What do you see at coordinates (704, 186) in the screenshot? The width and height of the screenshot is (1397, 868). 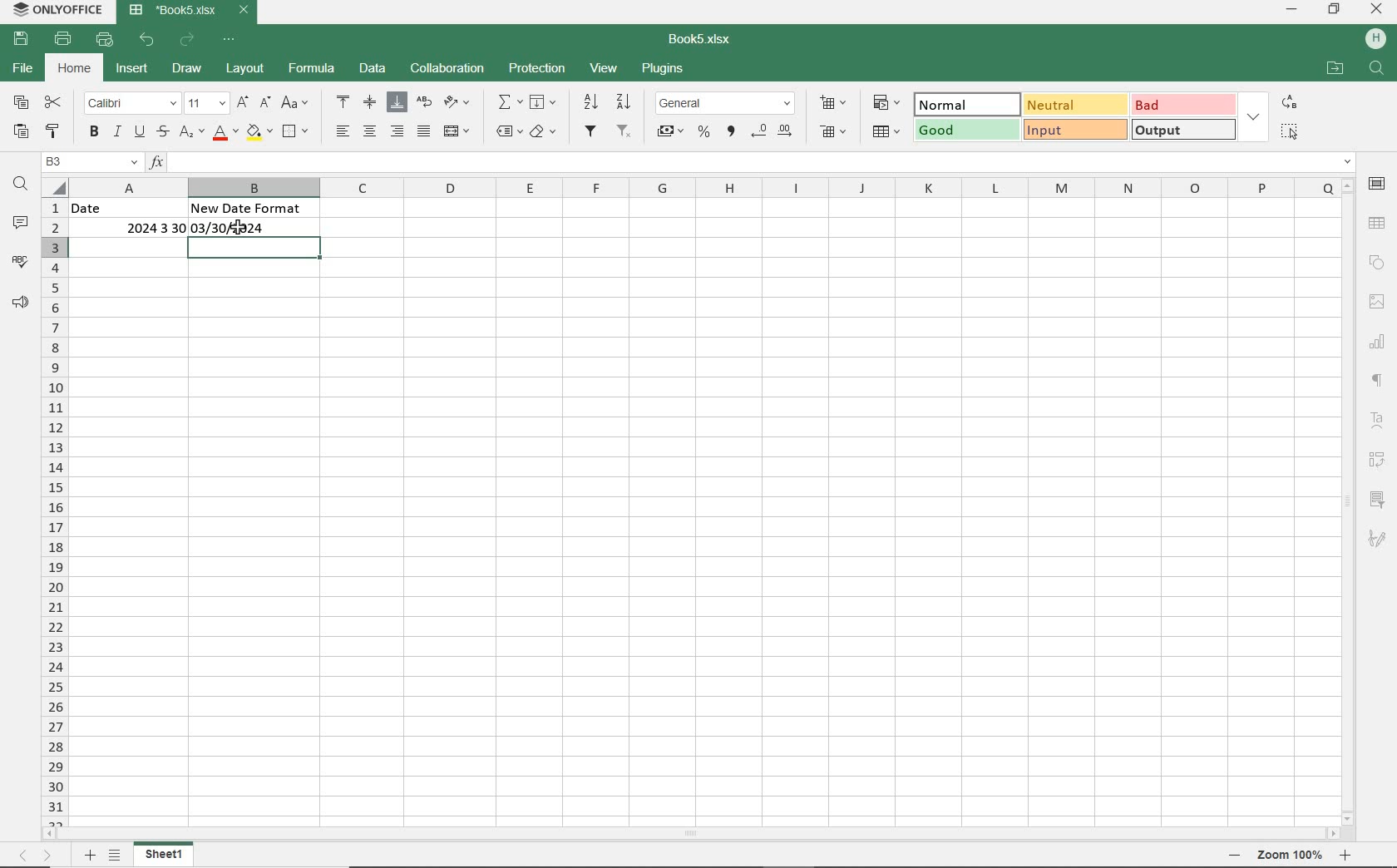 I see `COLUMNS` at bounding box center [704, 186].